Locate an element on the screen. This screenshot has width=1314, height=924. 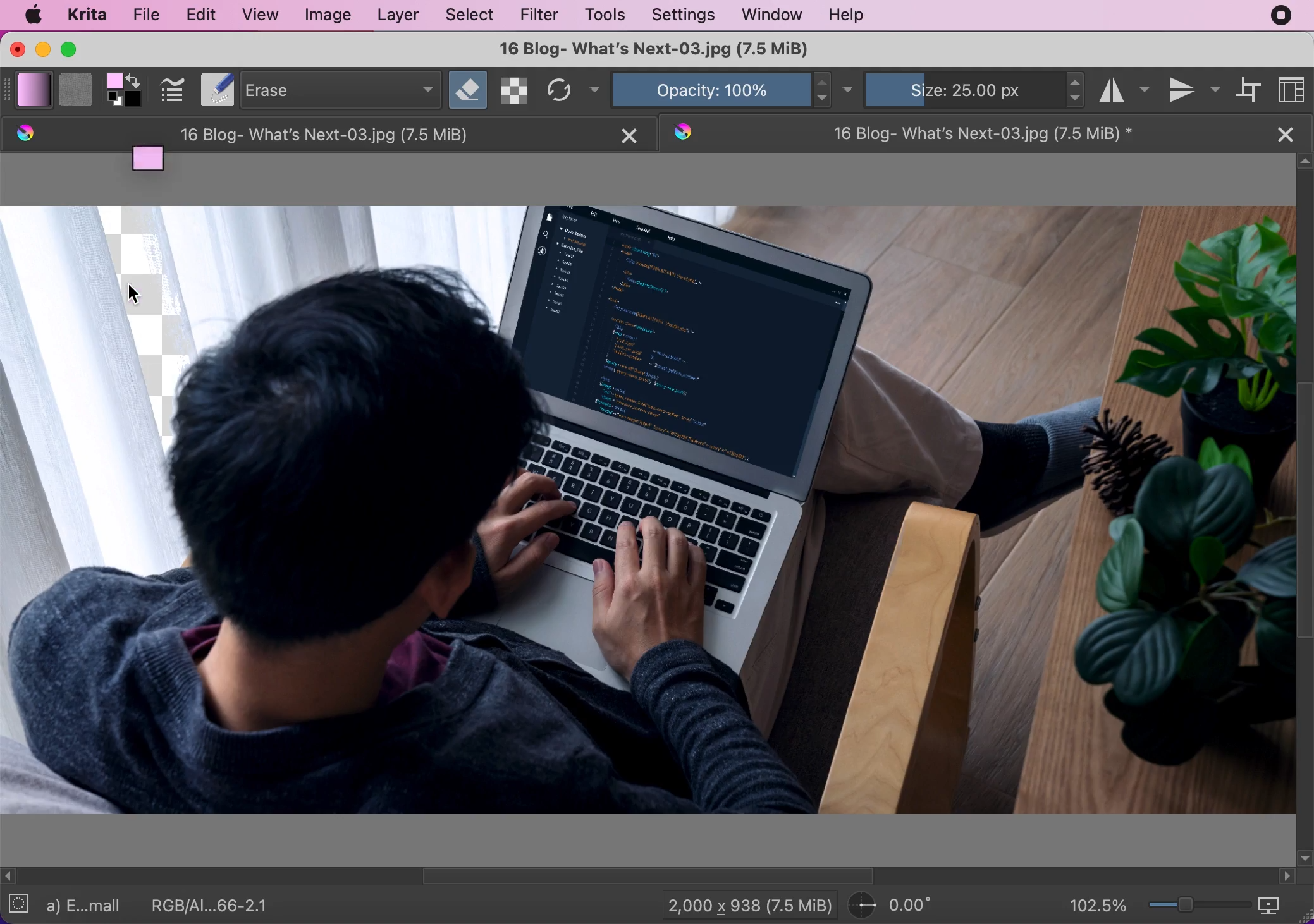
zoom graduation is located at coordinates (1196, 903).